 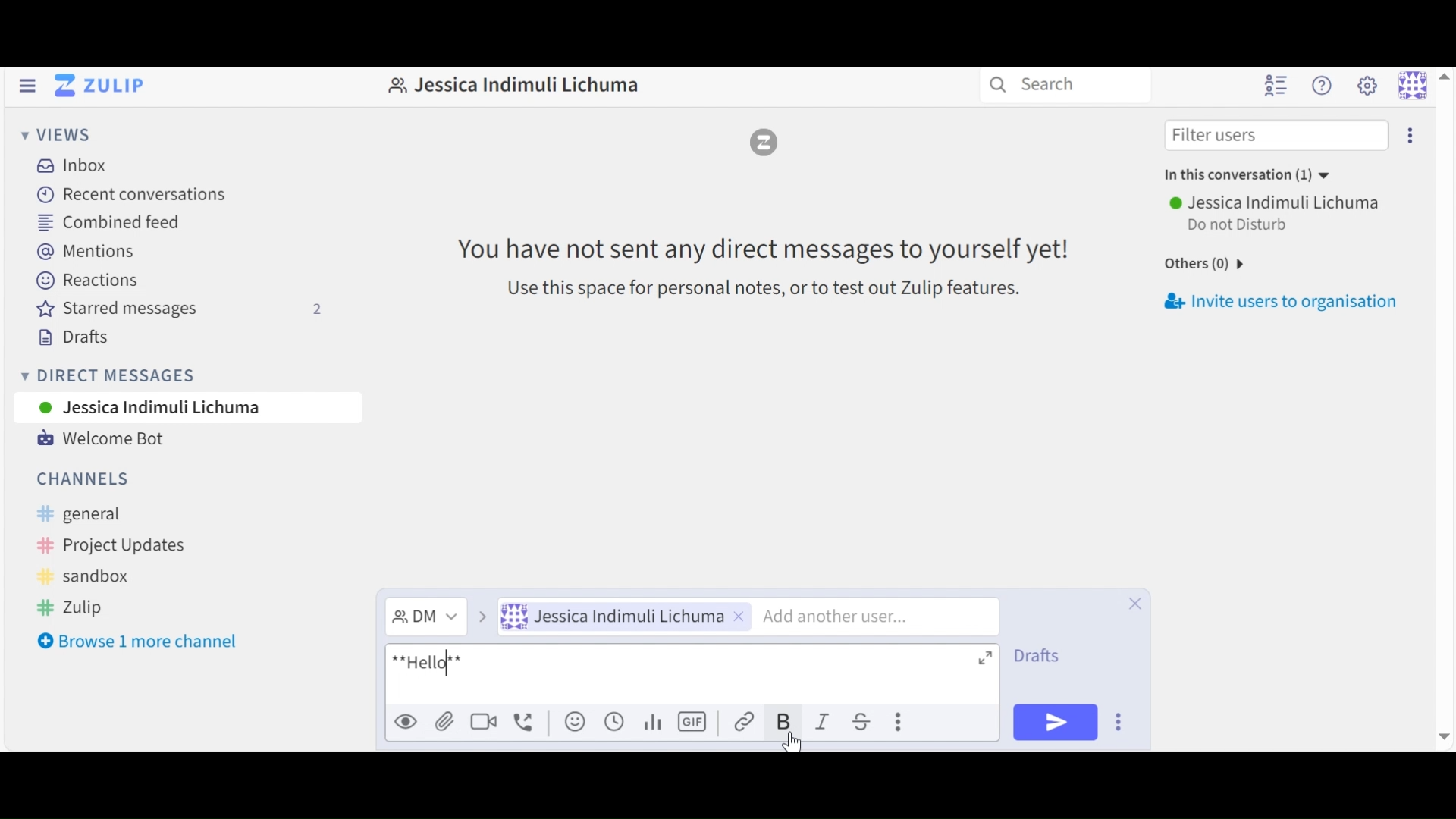 What do you see at coordinates (1273, 86) in the screenshot?
I see `Hide user list` at bounding box center [1273, 86].